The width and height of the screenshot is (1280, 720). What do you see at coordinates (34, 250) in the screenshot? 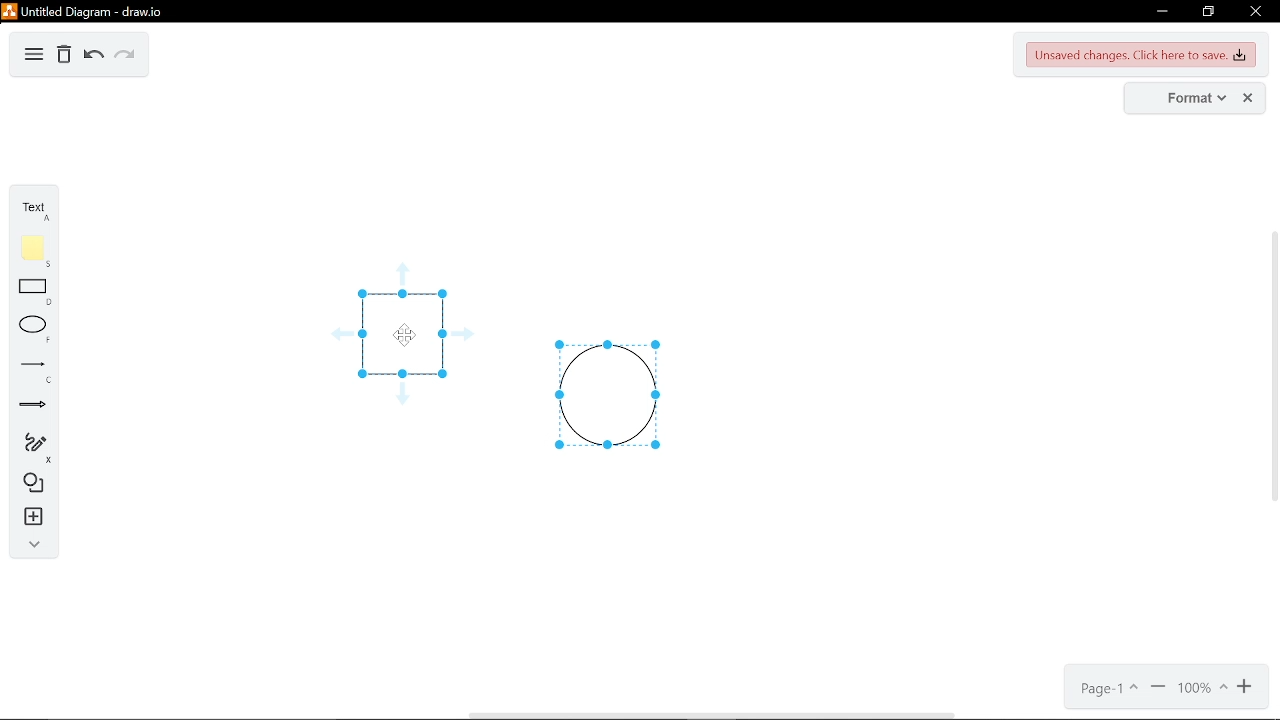
I see `note` at bounding box center [34, 250].